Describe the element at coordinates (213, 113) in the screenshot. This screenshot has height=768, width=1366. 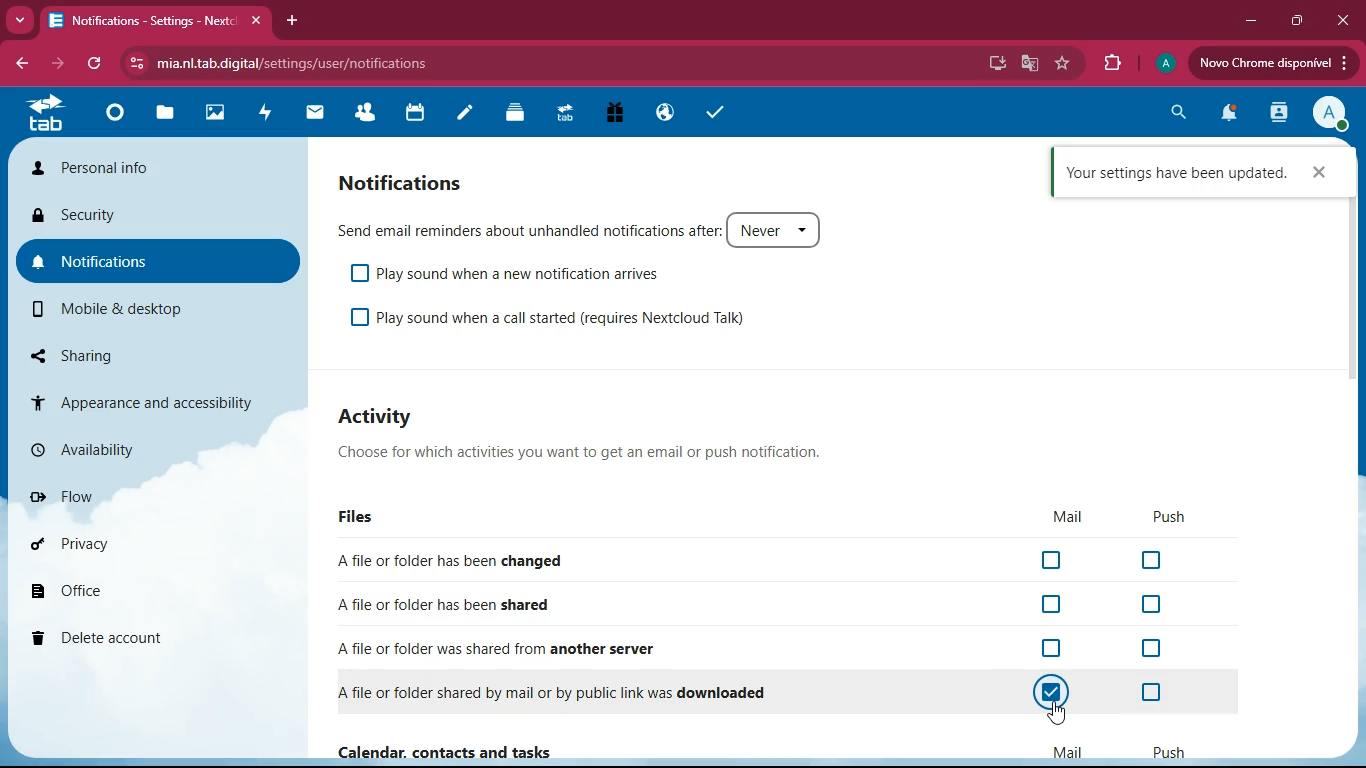
I see `images` at that location.